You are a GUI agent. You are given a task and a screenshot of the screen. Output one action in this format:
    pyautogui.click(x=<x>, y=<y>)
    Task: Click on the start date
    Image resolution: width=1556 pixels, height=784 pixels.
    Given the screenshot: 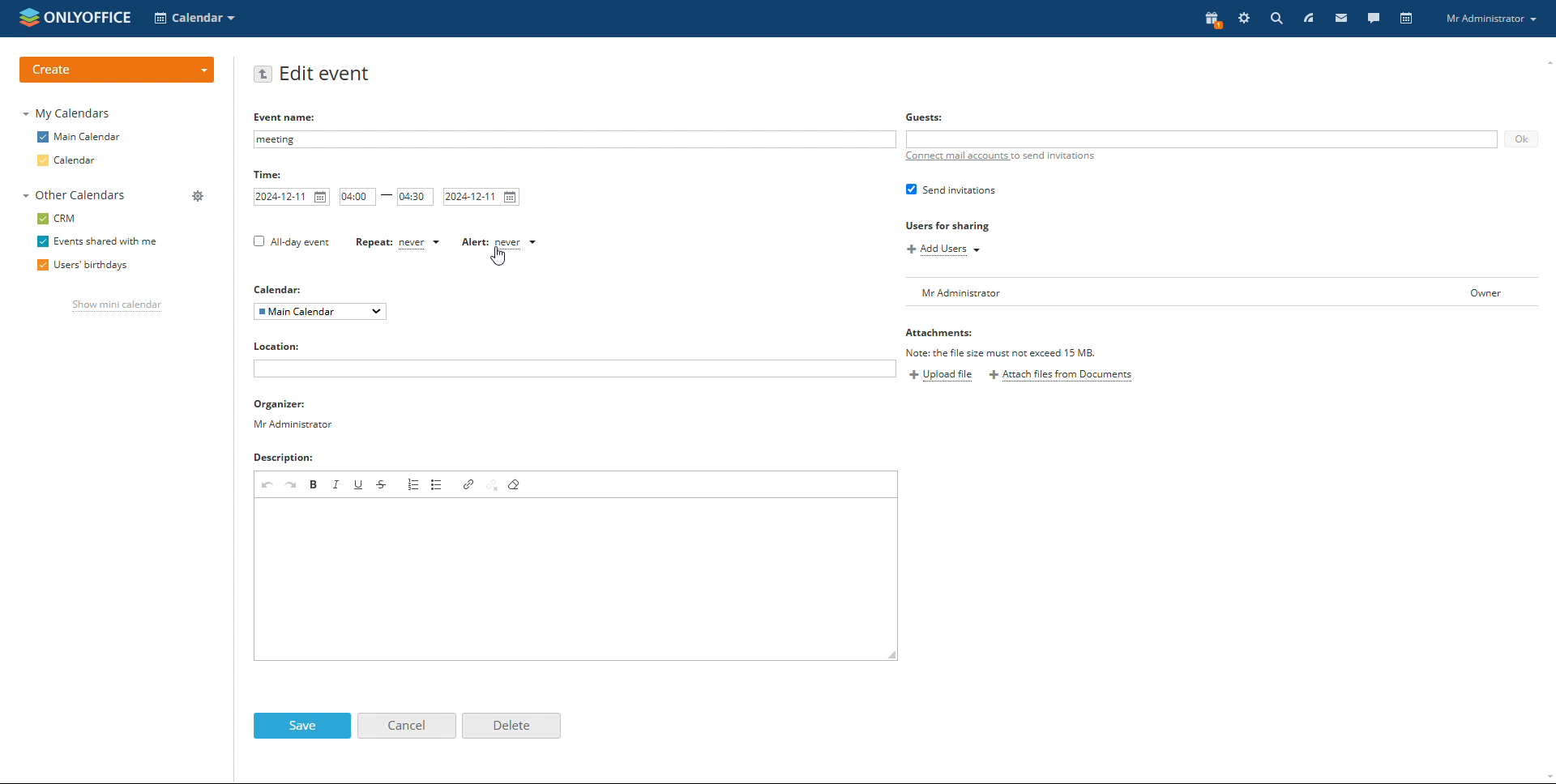 What is the action you would take?
    pyautogui.click(x=291, y=197)
    